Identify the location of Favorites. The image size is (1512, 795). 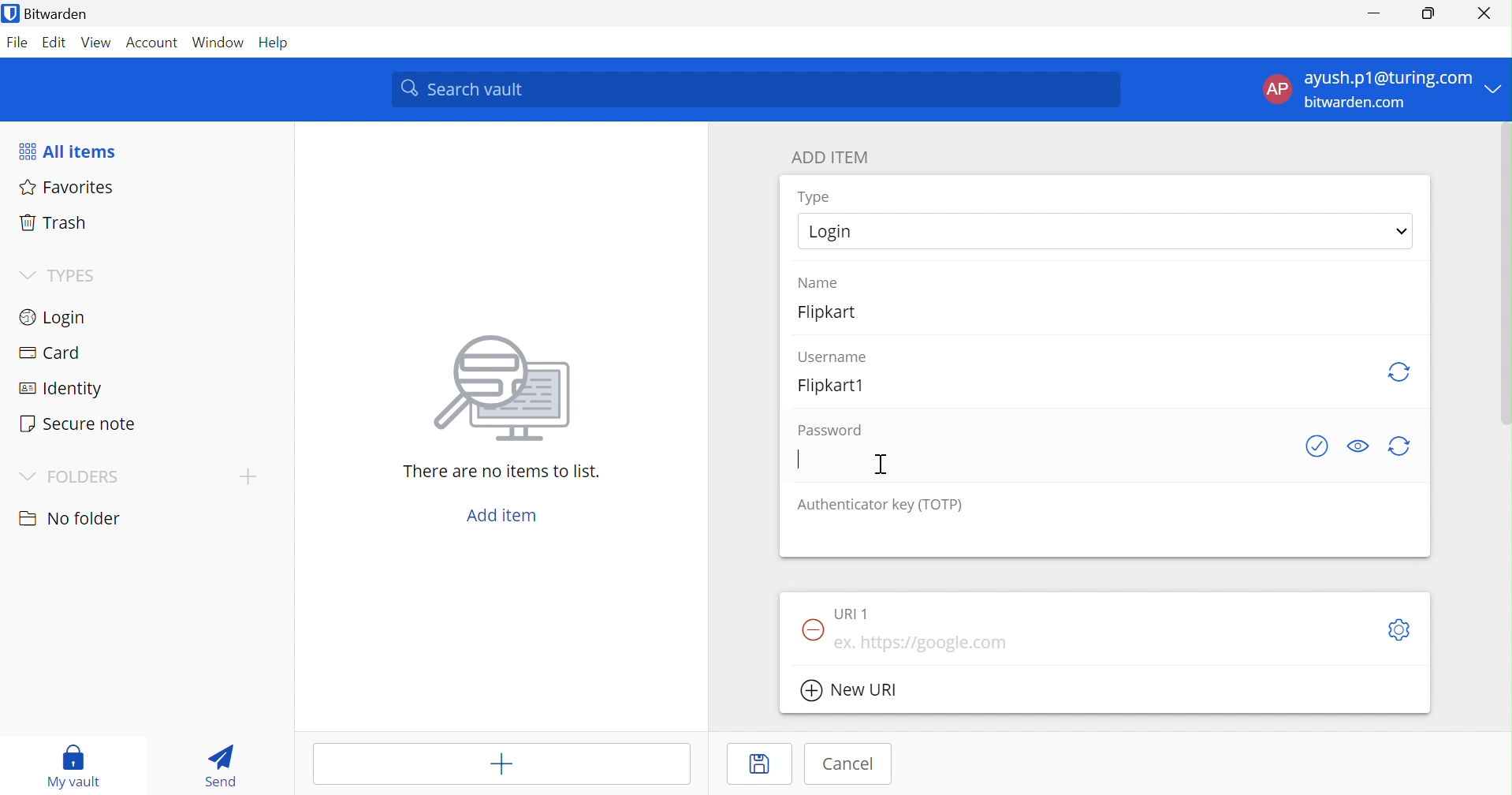
(69, 188).